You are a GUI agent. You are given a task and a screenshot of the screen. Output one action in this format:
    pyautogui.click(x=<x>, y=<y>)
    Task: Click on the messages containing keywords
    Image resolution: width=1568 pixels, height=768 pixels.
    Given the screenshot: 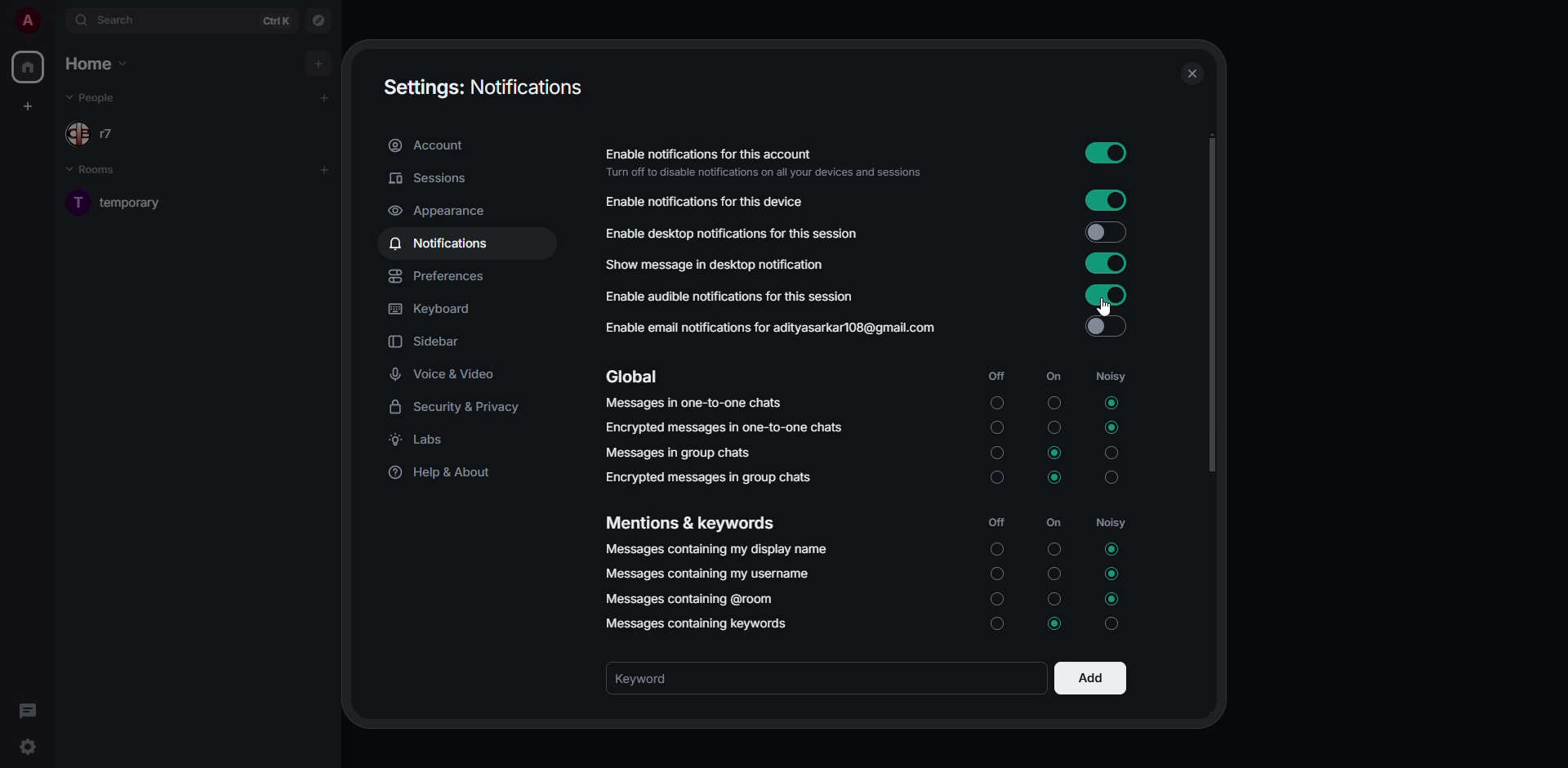 What is the action you would take?
    pyautogui.click(x=694, y=623)
    